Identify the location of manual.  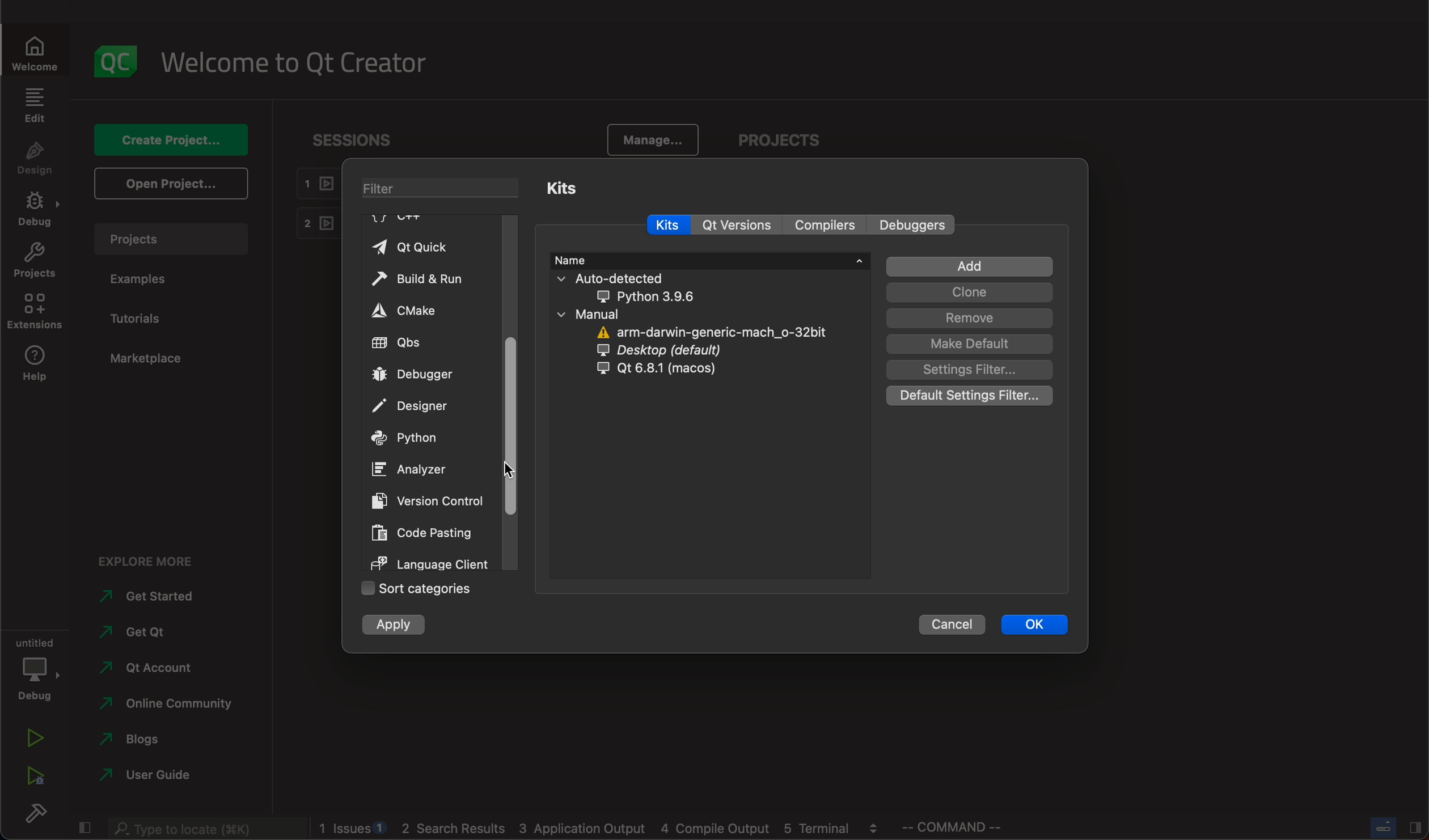
(618, 315).